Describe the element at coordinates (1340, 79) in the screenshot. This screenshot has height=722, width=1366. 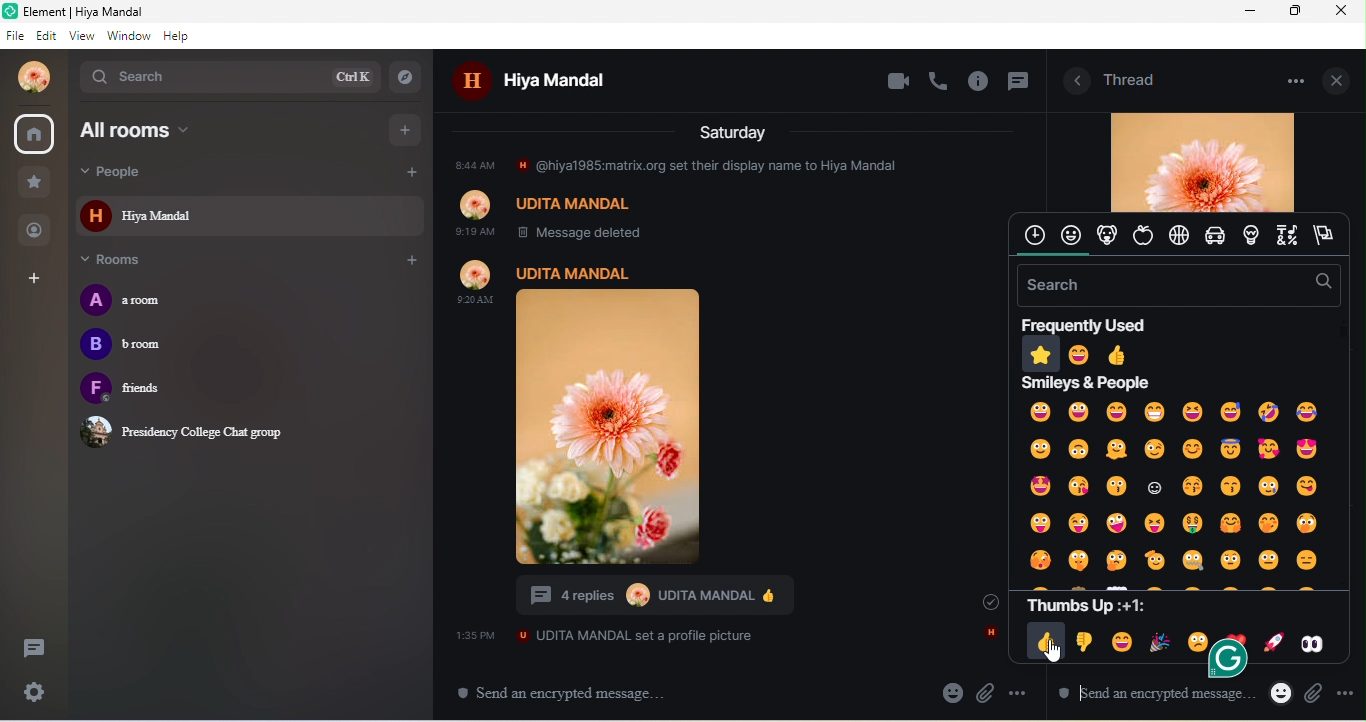
I see `close` at that location.